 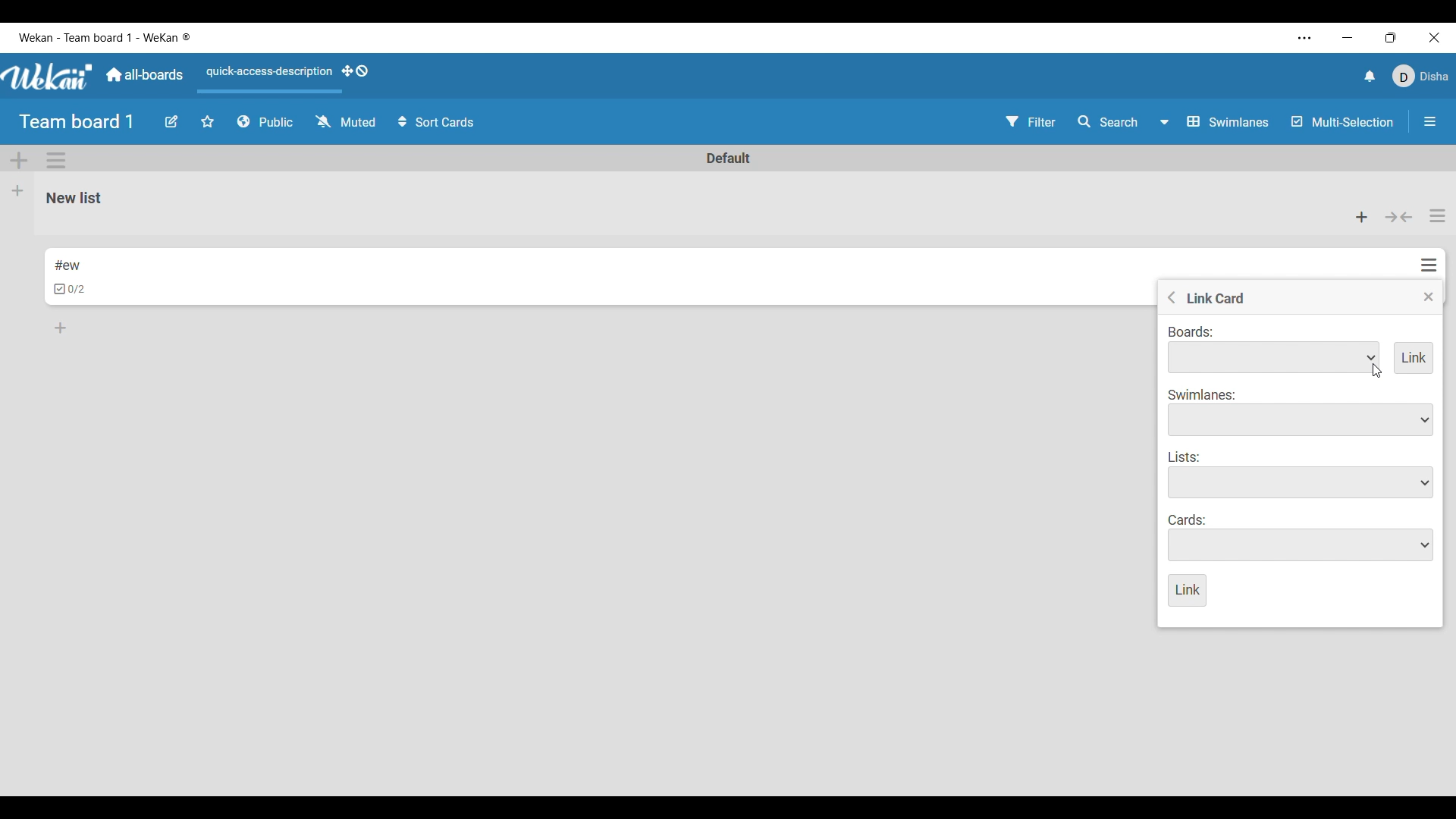 What do you see at coordinates (1214, 121) in the screenshot?
I see `Board view options` at bounding box center [1214, 121].